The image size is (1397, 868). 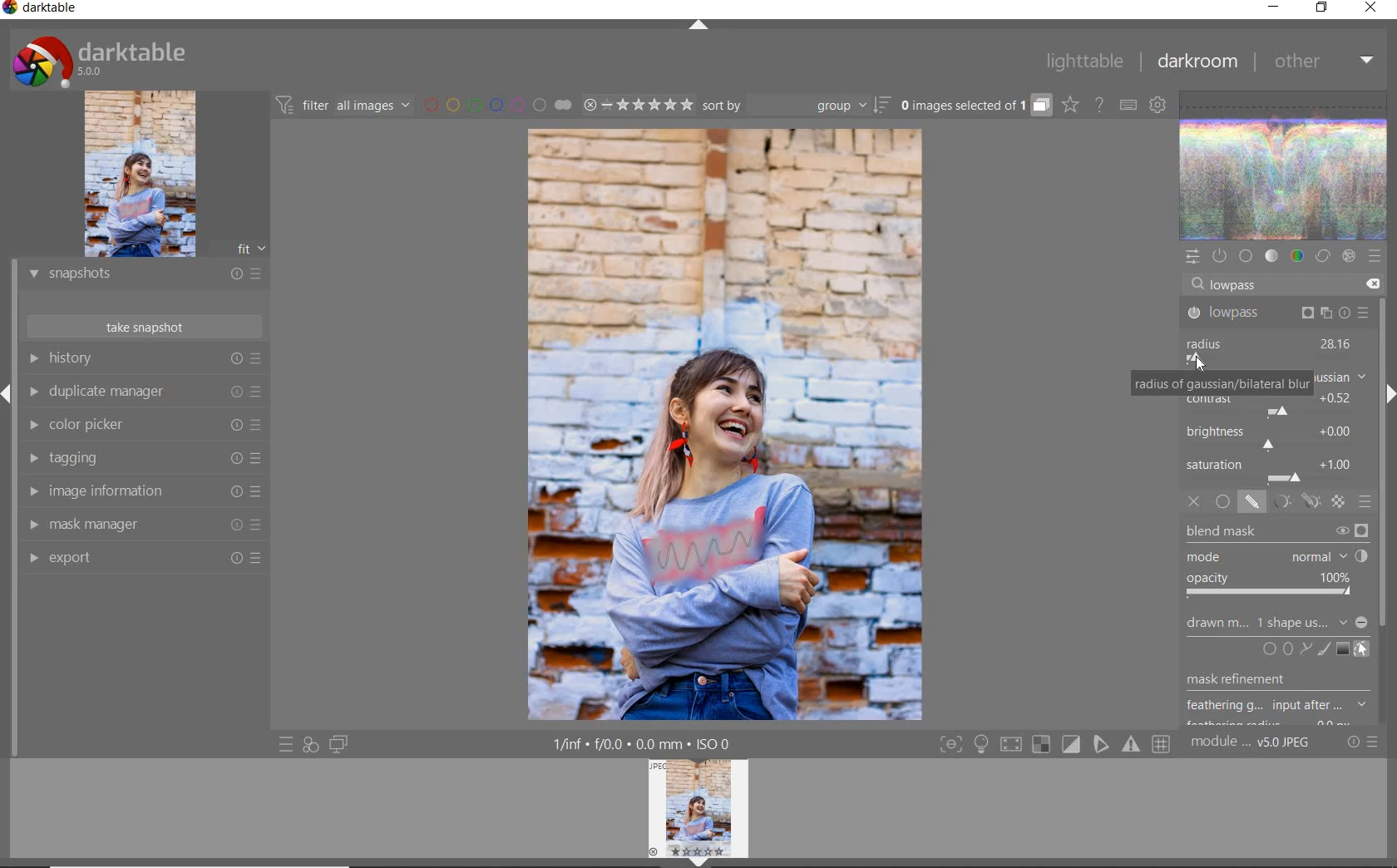 I want to click on base, so click(x=1246, y=256).